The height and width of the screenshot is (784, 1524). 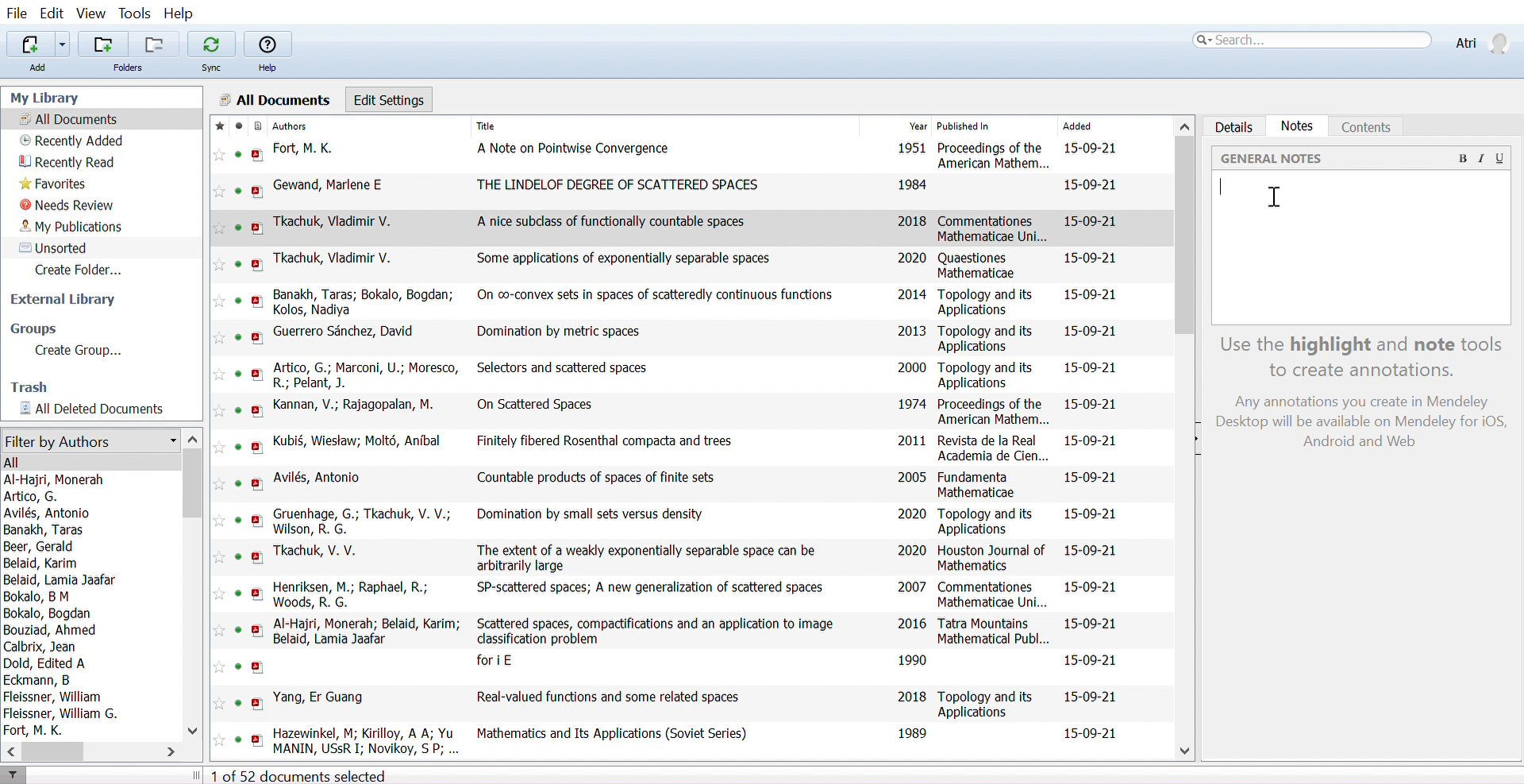 What do you see at coordinates (985, 704) in the screenshot?
I see `Topology and its Applications` at bounding box center [985, 704].